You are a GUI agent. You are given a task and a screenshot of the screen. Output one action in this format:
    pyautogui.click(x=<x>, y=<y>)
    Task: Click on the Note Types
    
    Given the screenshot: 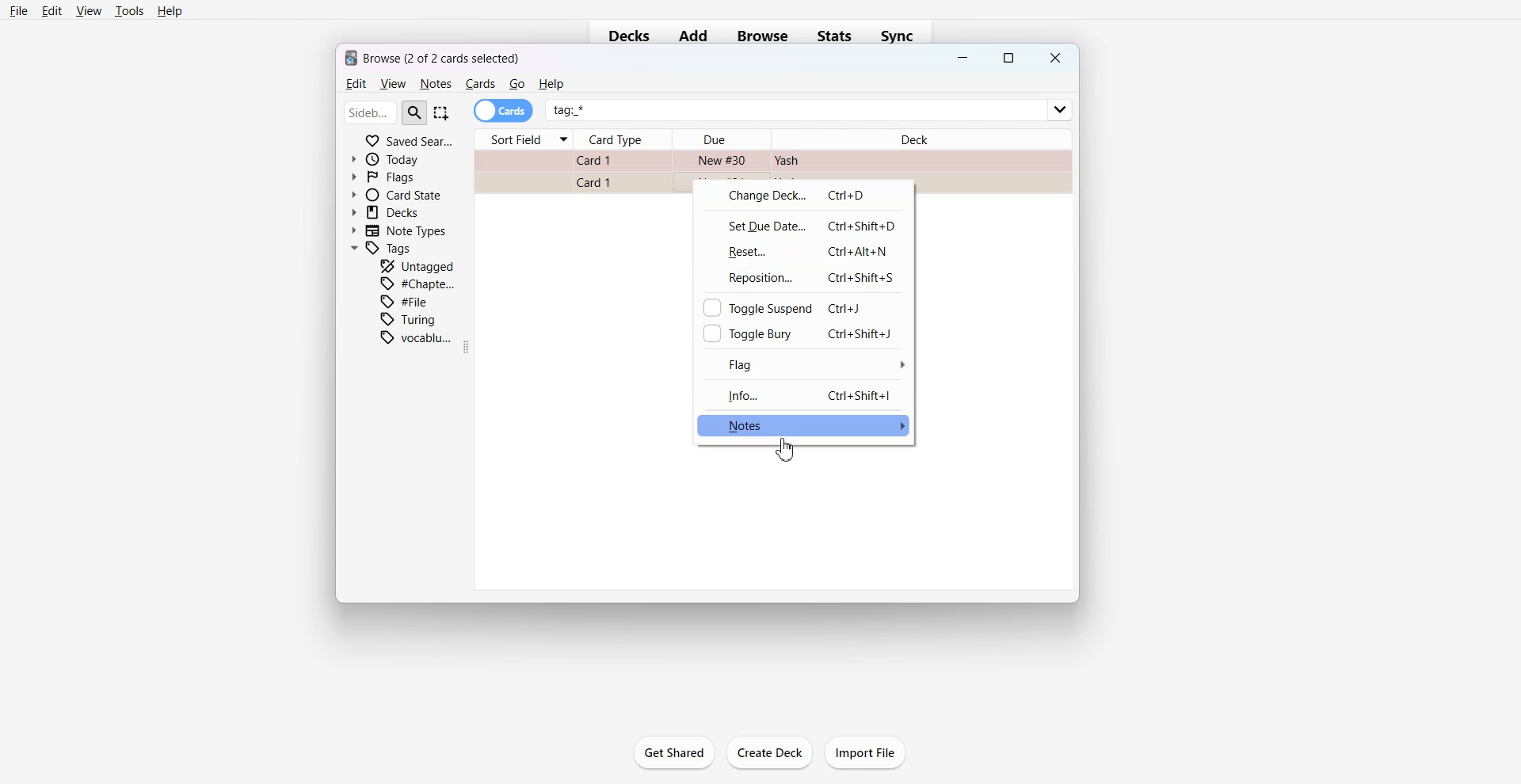 What is the action you would take?
    pyautogui.click(x=400, y=230)
    